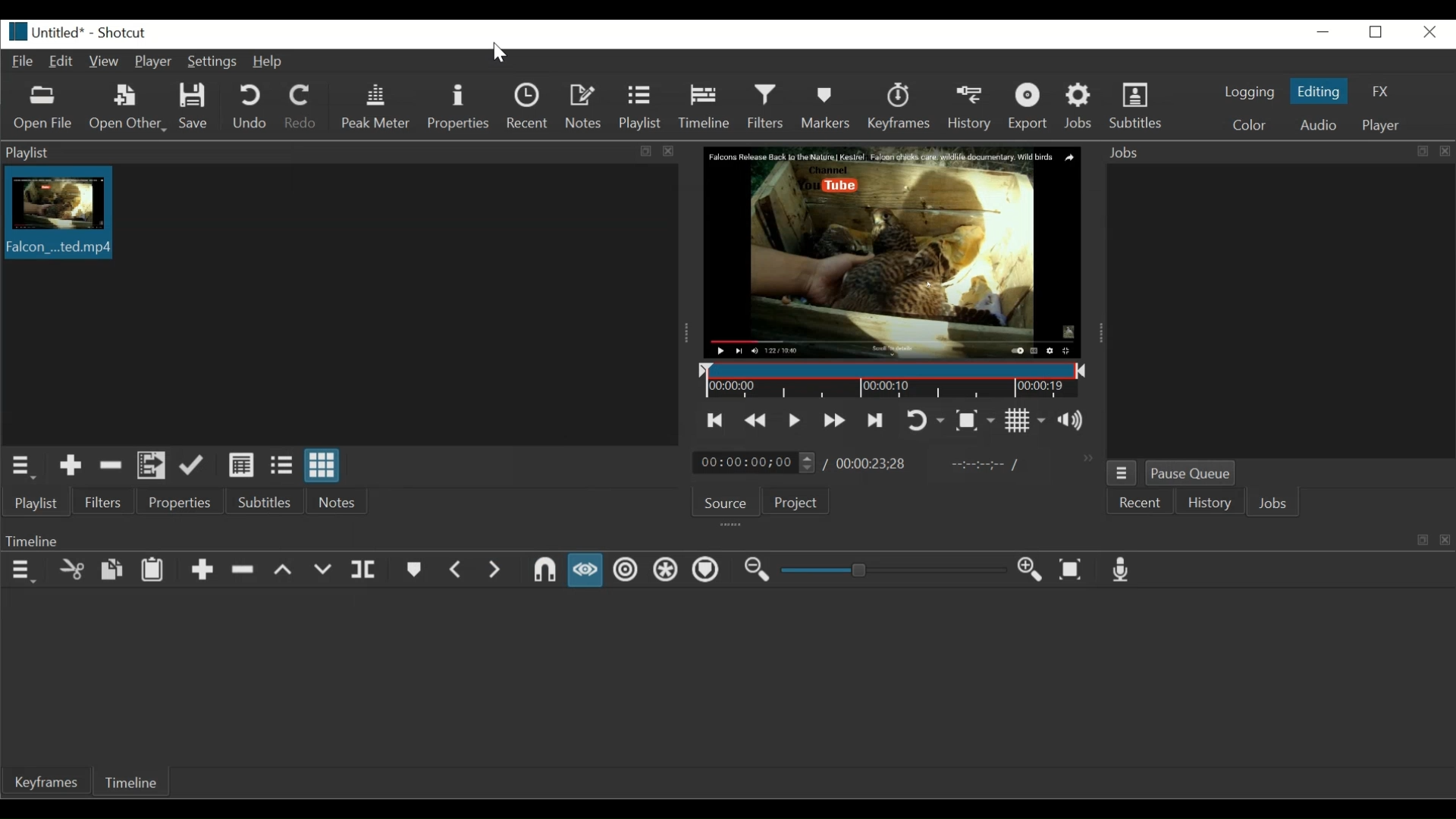 This screenshot has width=1456, height=819. Describe the element at coordinates (1323, 33) in the screenshot. I see `minimize` at that location.